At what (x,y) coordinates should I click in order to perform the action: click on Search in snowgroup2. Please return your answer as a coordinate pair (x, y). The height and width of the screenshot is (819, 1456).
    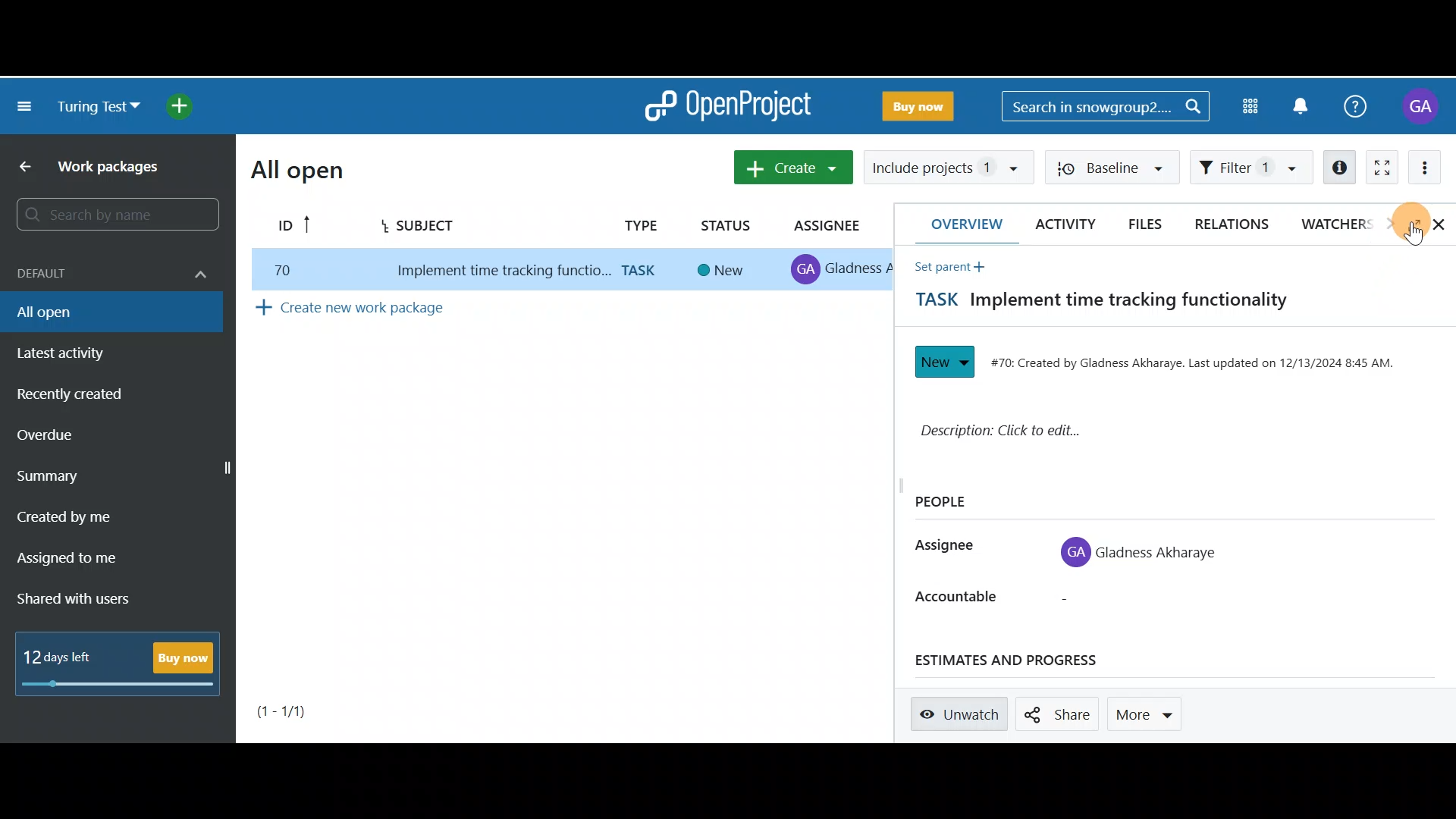
    Looking at the image, I should click on (1109, 107).